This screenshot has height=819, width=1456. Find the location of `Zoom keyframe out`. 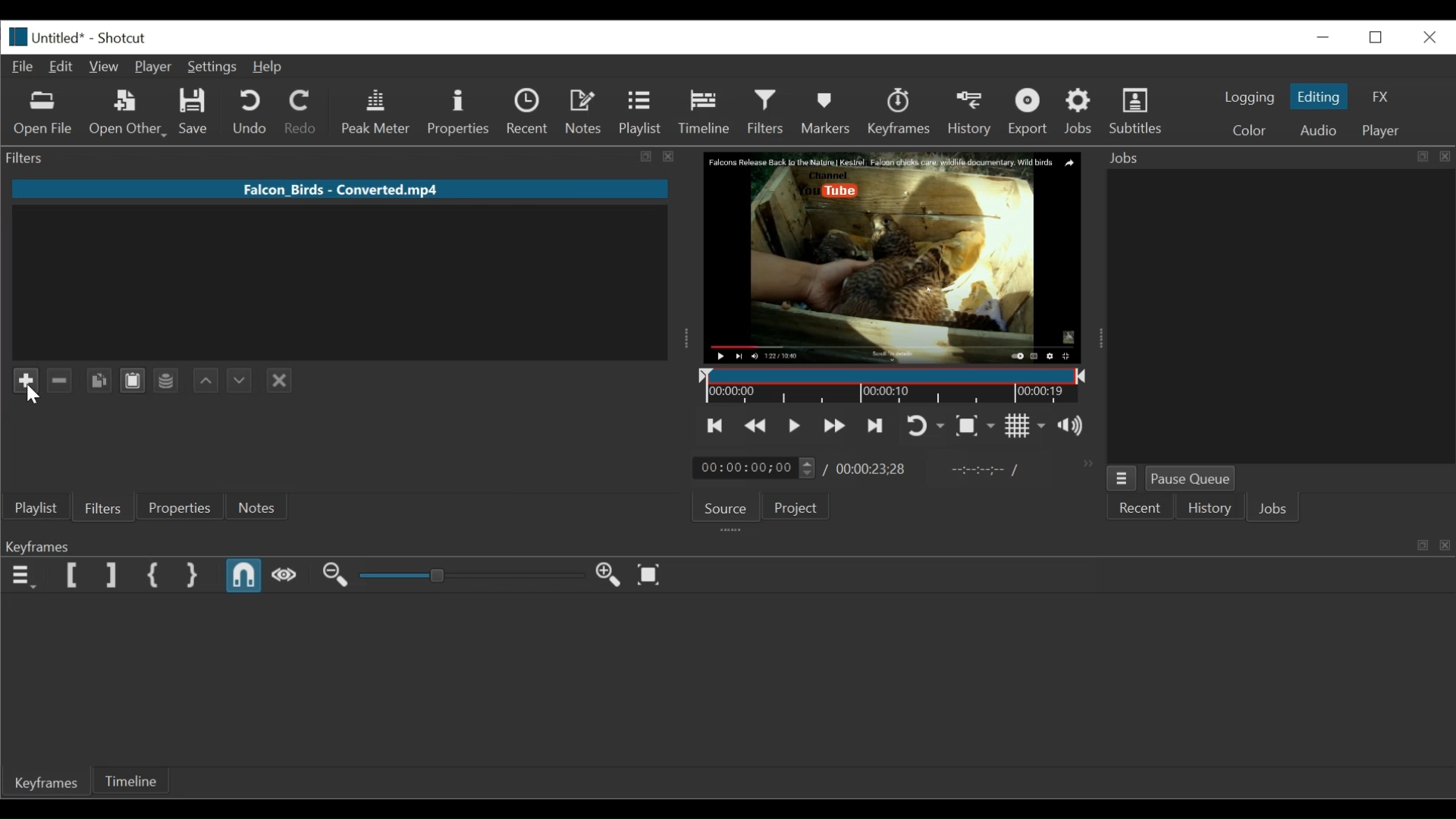

Zoom keyframe out is located at coordinates (335, 576).